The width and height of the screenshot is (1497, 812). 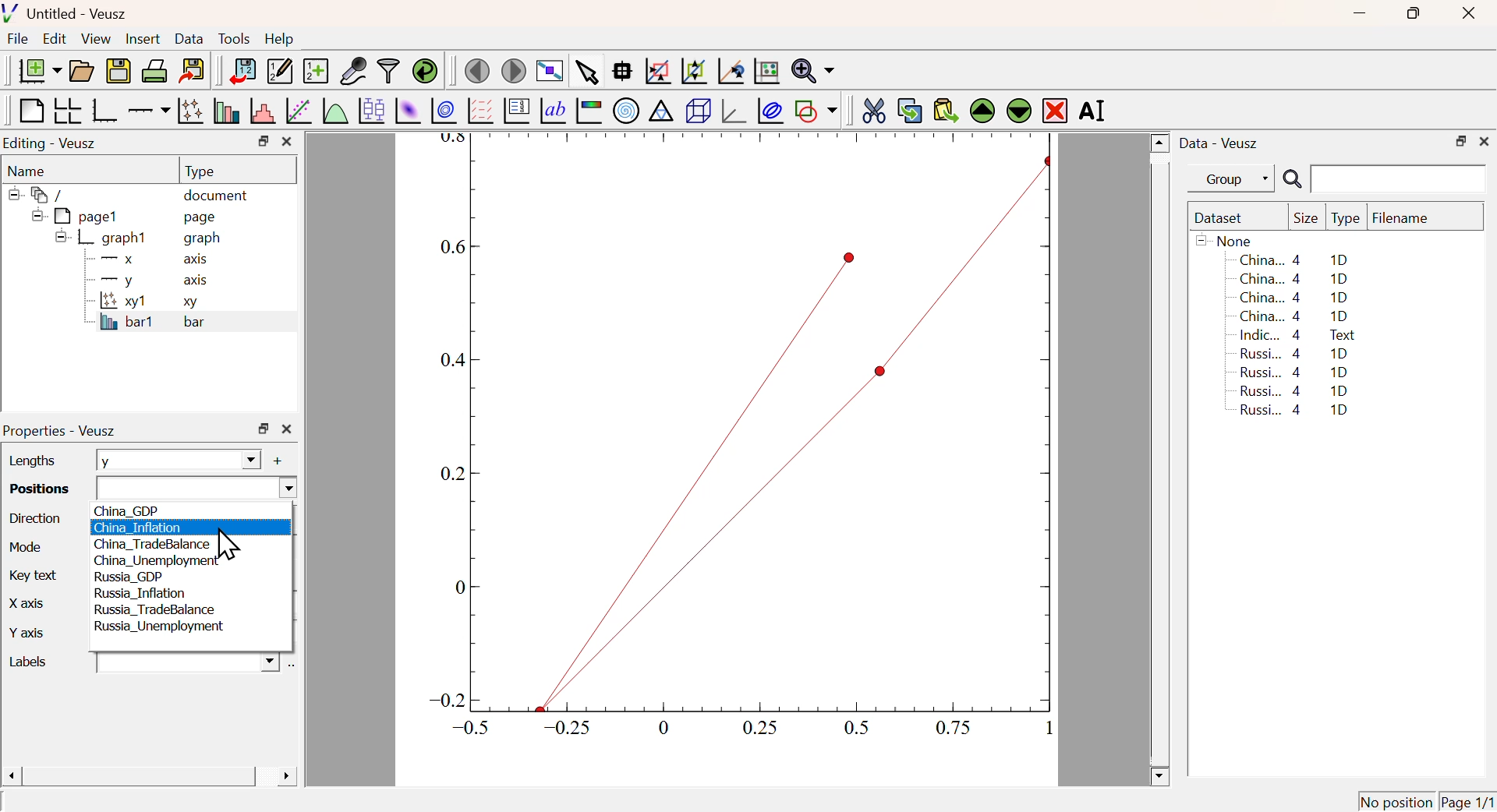 I want to click on Search, so click(x=1292, y=180).